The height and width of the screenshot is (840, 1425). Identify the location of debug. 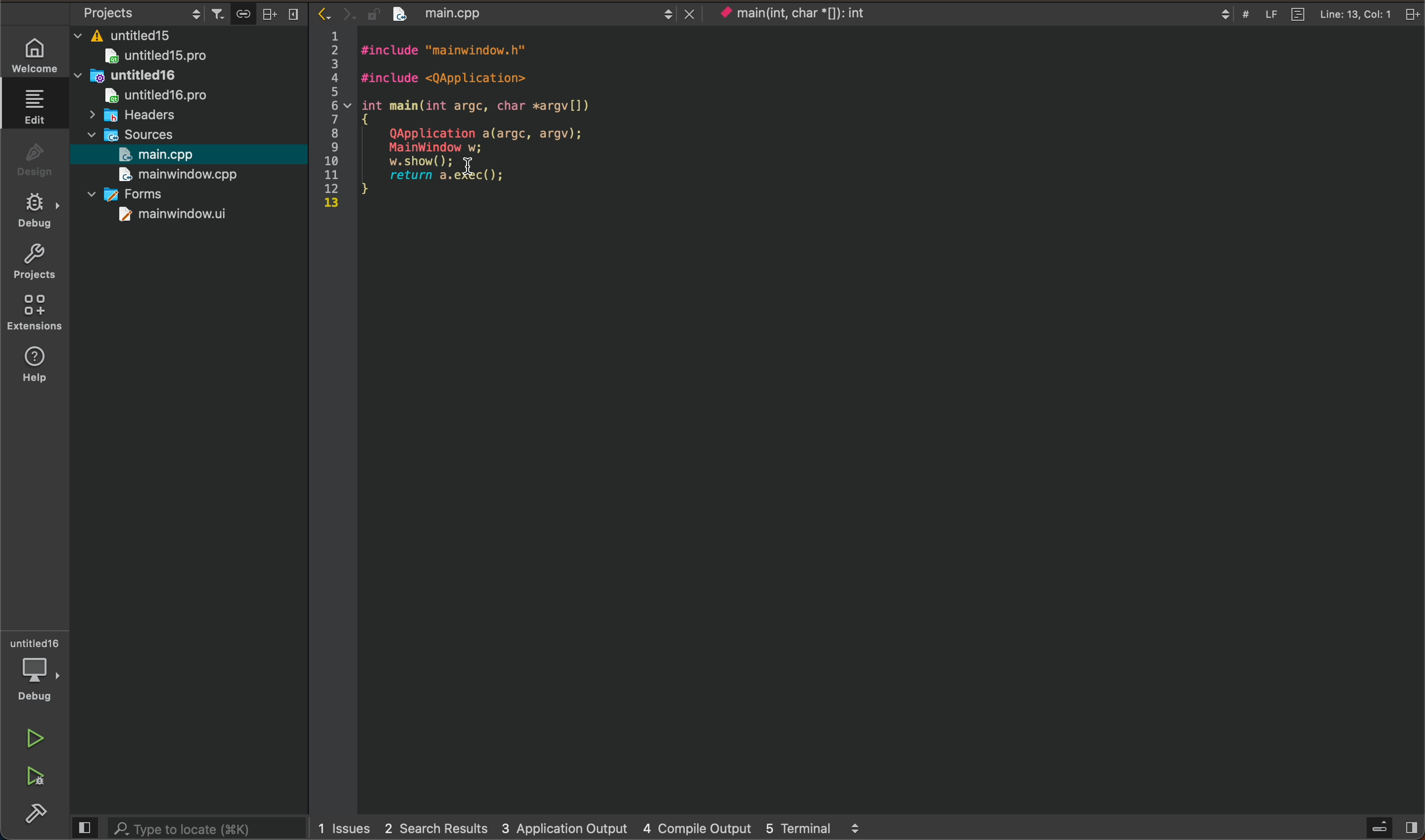
(35, 212).